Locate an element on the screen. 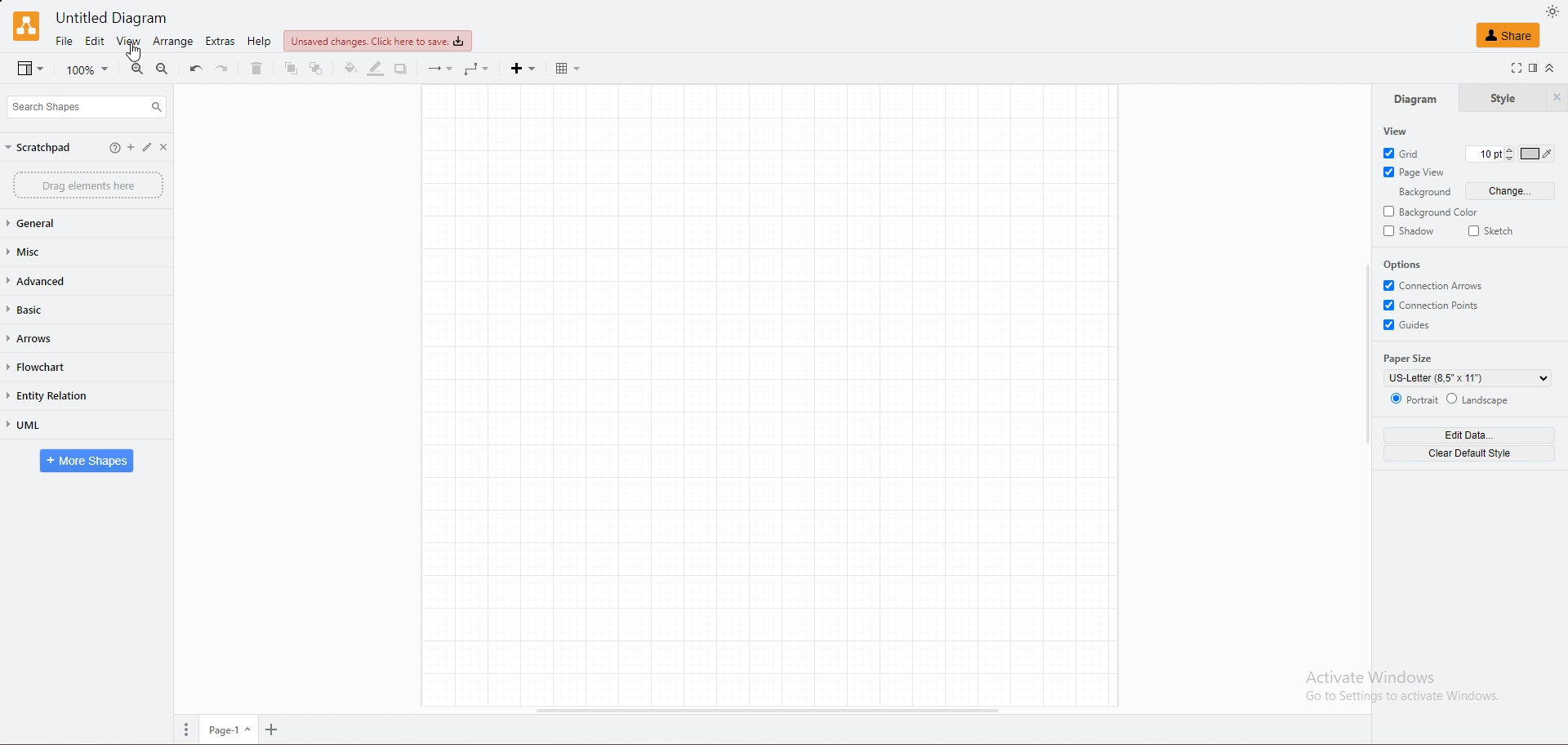 The width and height of the screenshot is (1568, 745). zoom in is located at coordinates (136, 69).